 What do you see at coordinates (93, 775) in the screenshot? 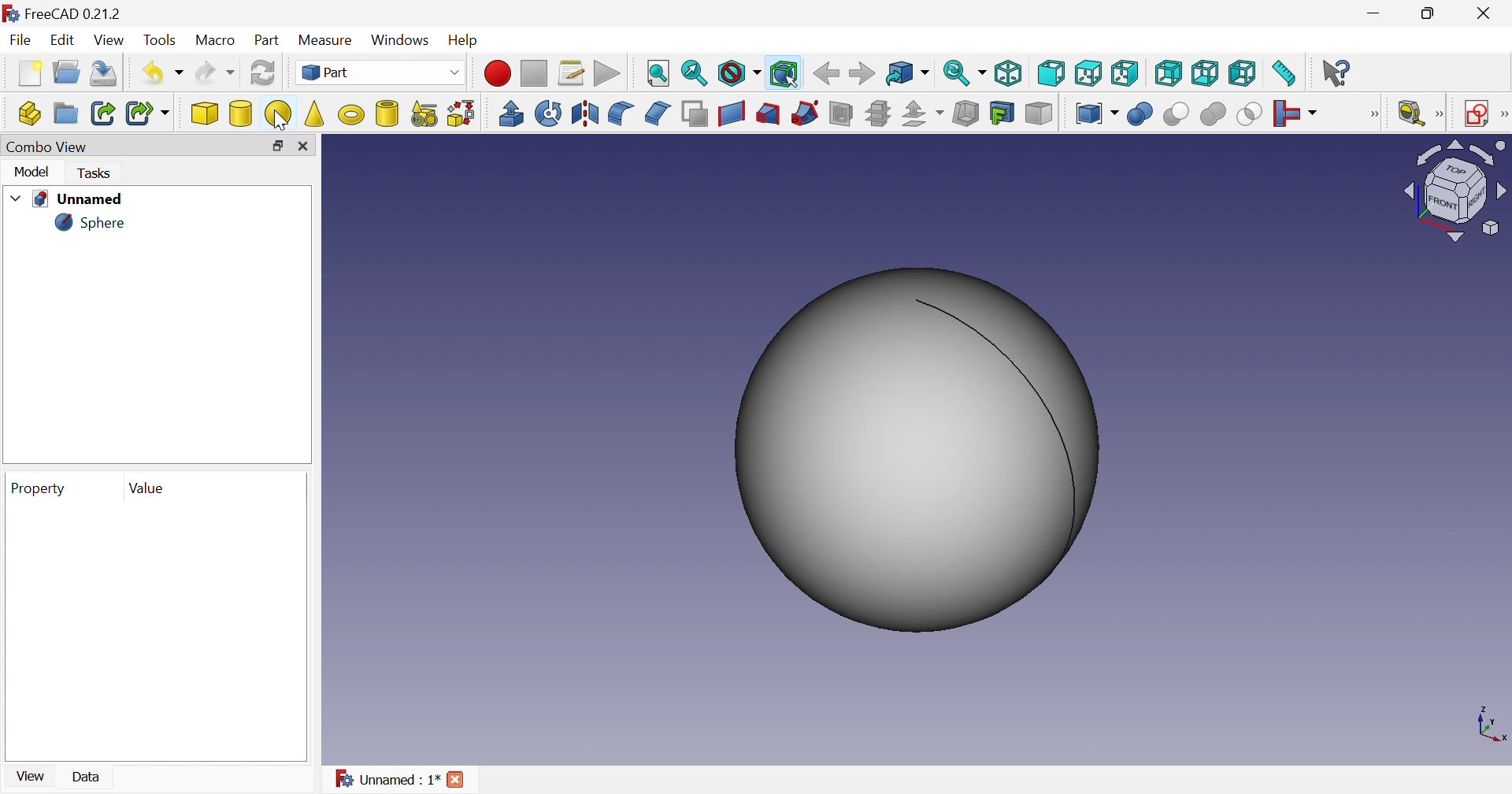
I see `Date` at bounding box center [93, 775].